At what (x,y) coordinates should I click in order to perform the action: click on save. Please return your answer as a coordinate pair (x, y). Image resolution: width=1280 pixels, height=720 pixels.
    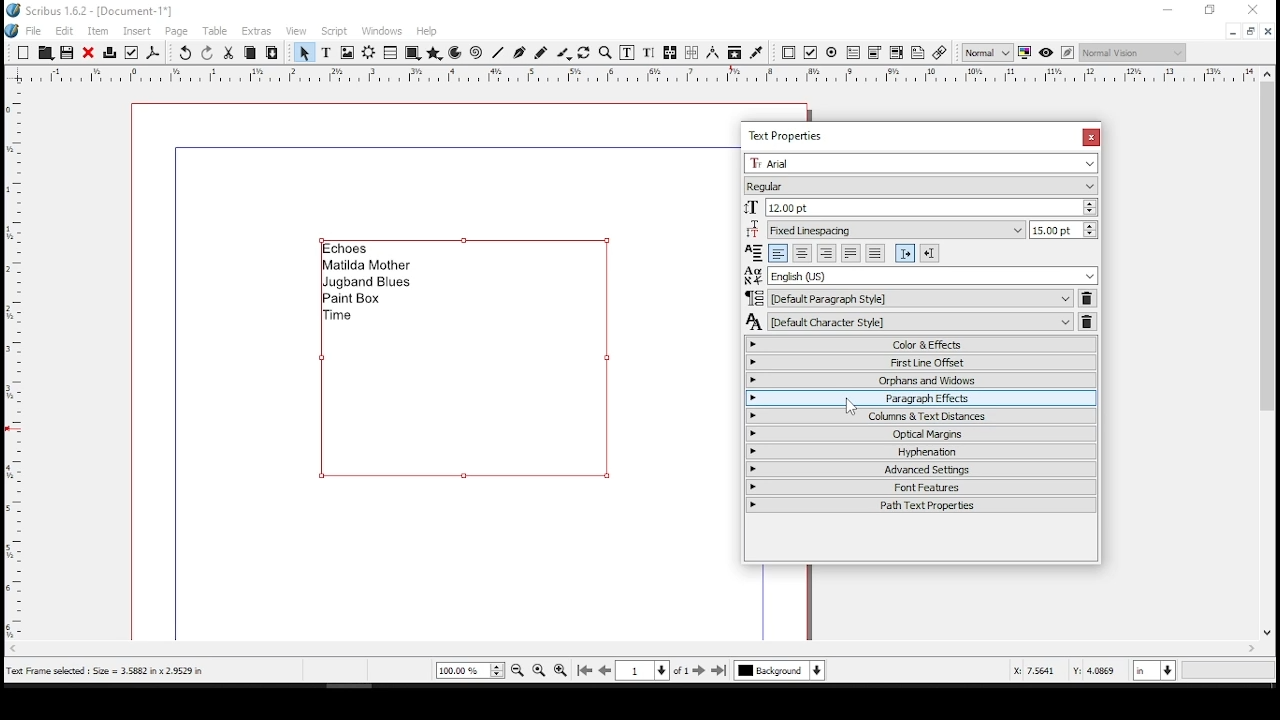
    Looking at the image, I should click on (66, 52).